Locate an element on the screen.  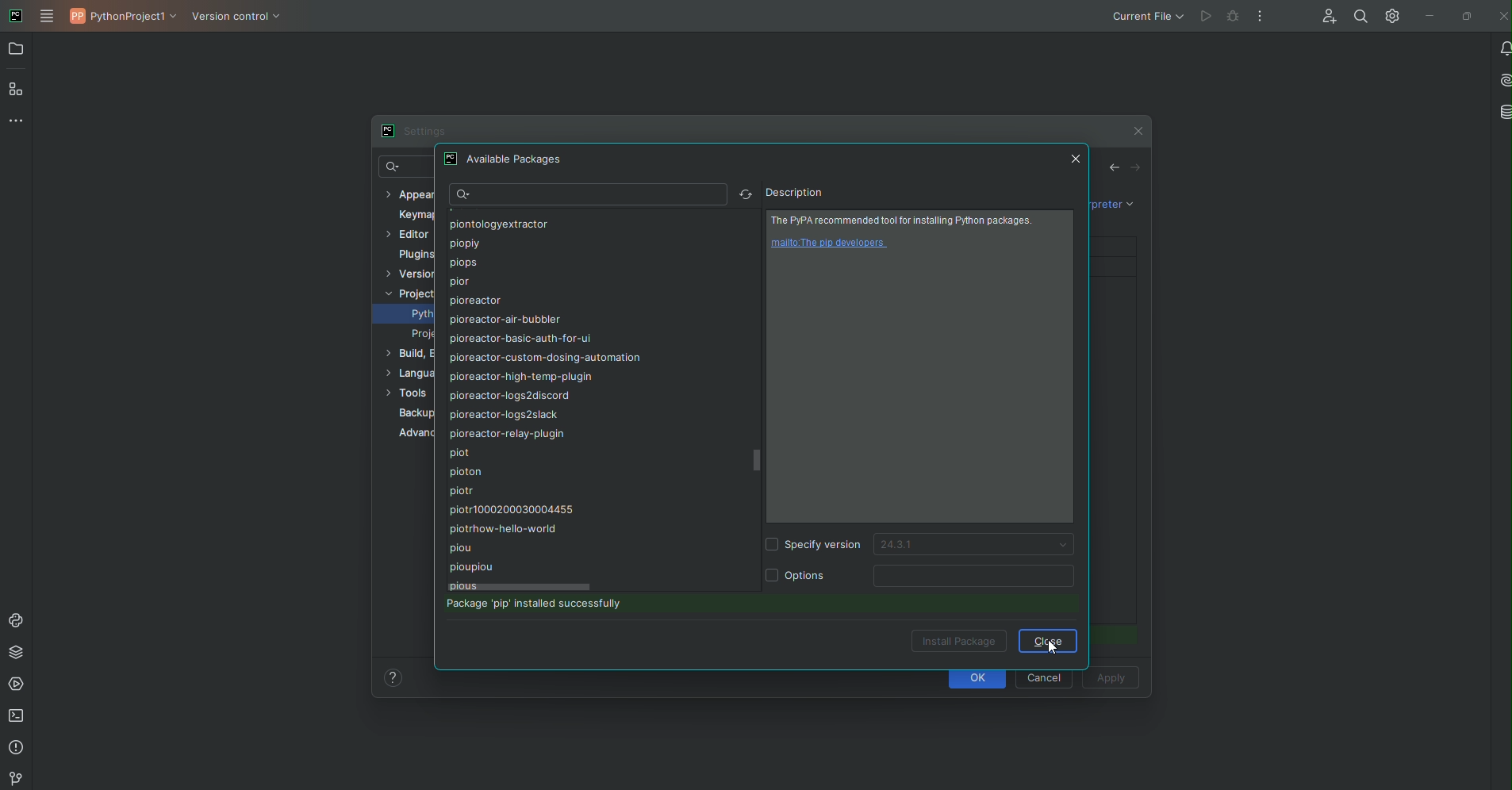
PyCharm is located at coordinates (15, 15).